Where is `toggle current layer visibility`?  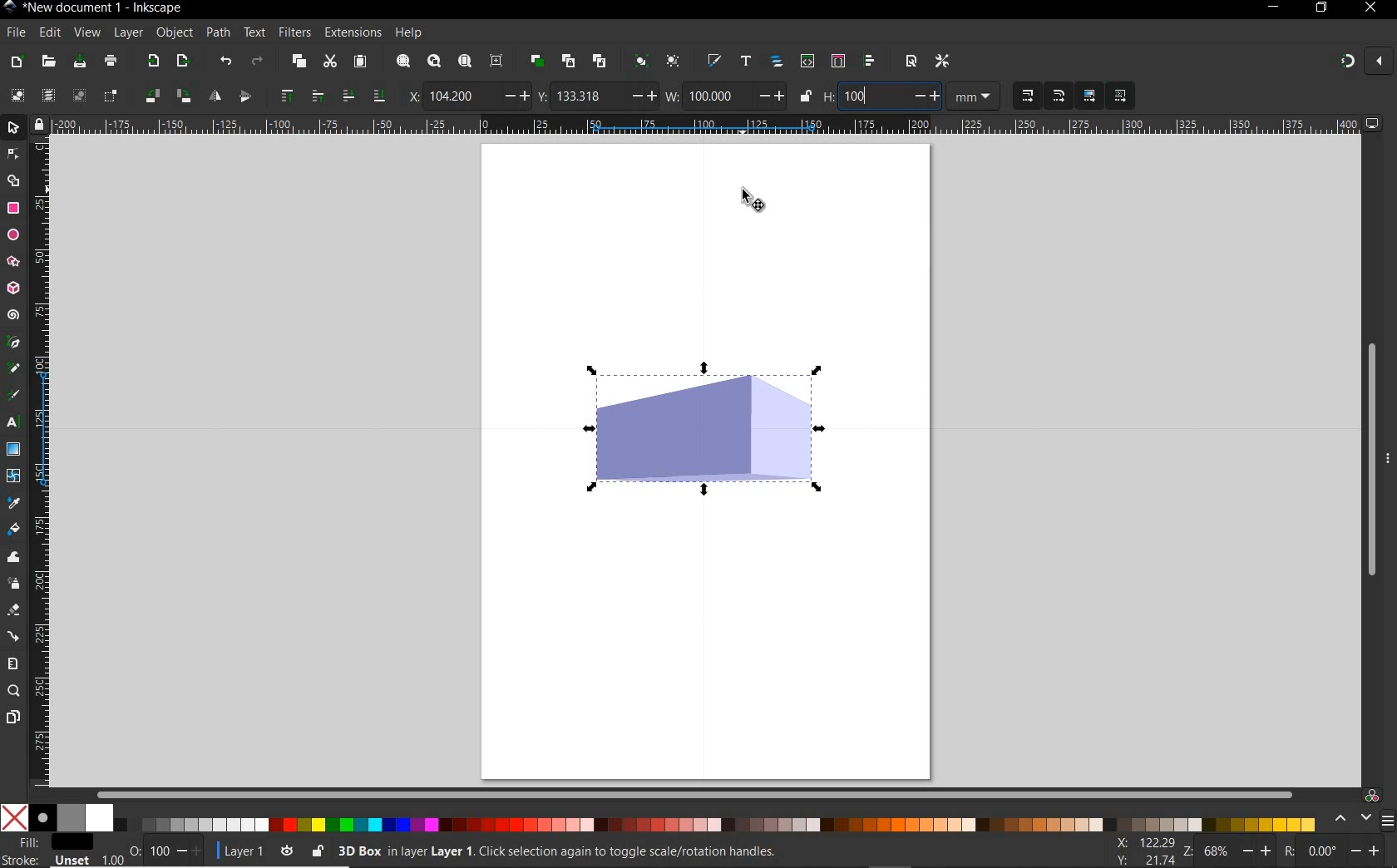
toggle current layer visibility is located at coordinates (284, 851).